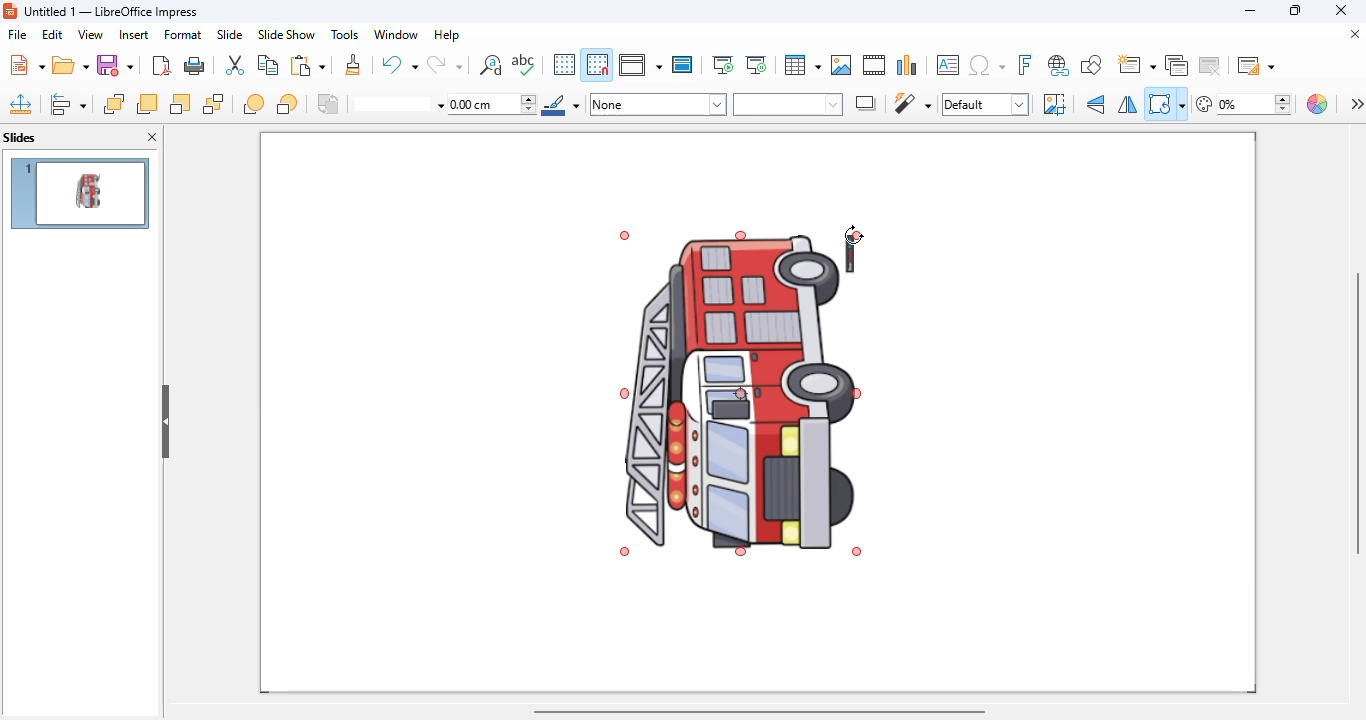 Image resolution: width=1366 pixels, height=720 pixels. What do you see at coordinates (165, 422) in the screenshot?
I see `hide` at bounding box center [165, 422].